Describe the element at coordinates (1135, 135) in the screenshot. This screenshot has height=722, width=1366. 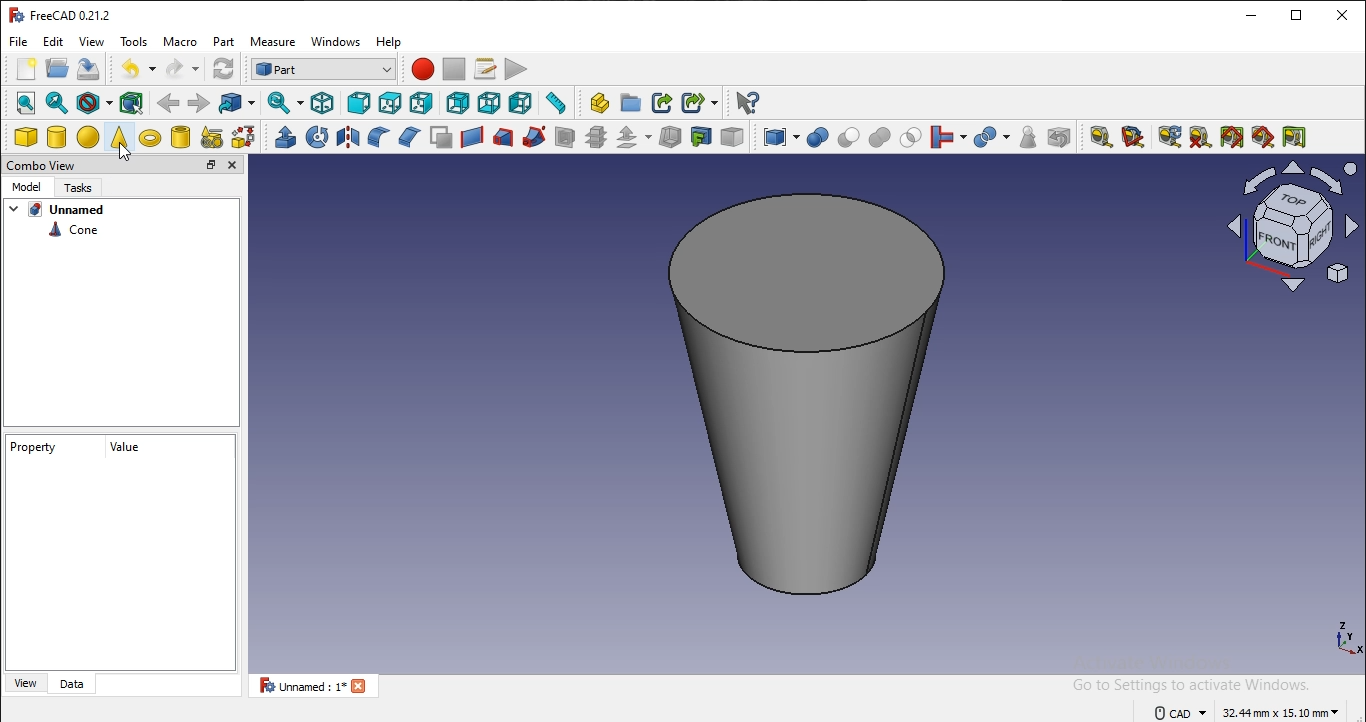
I see `measure angular` at that location.